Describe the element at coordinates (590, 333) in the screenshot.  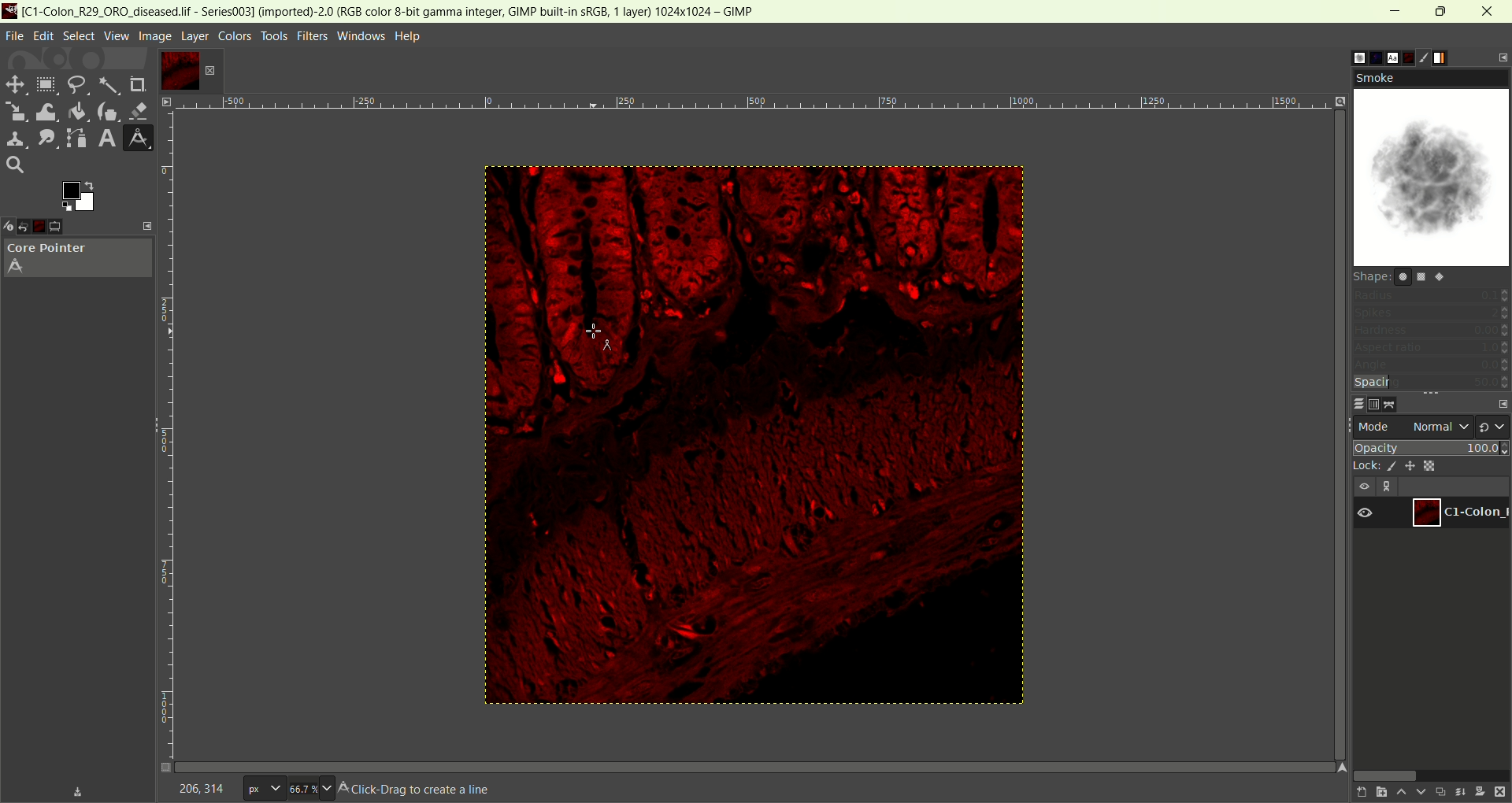
I see `cursor` at that location.